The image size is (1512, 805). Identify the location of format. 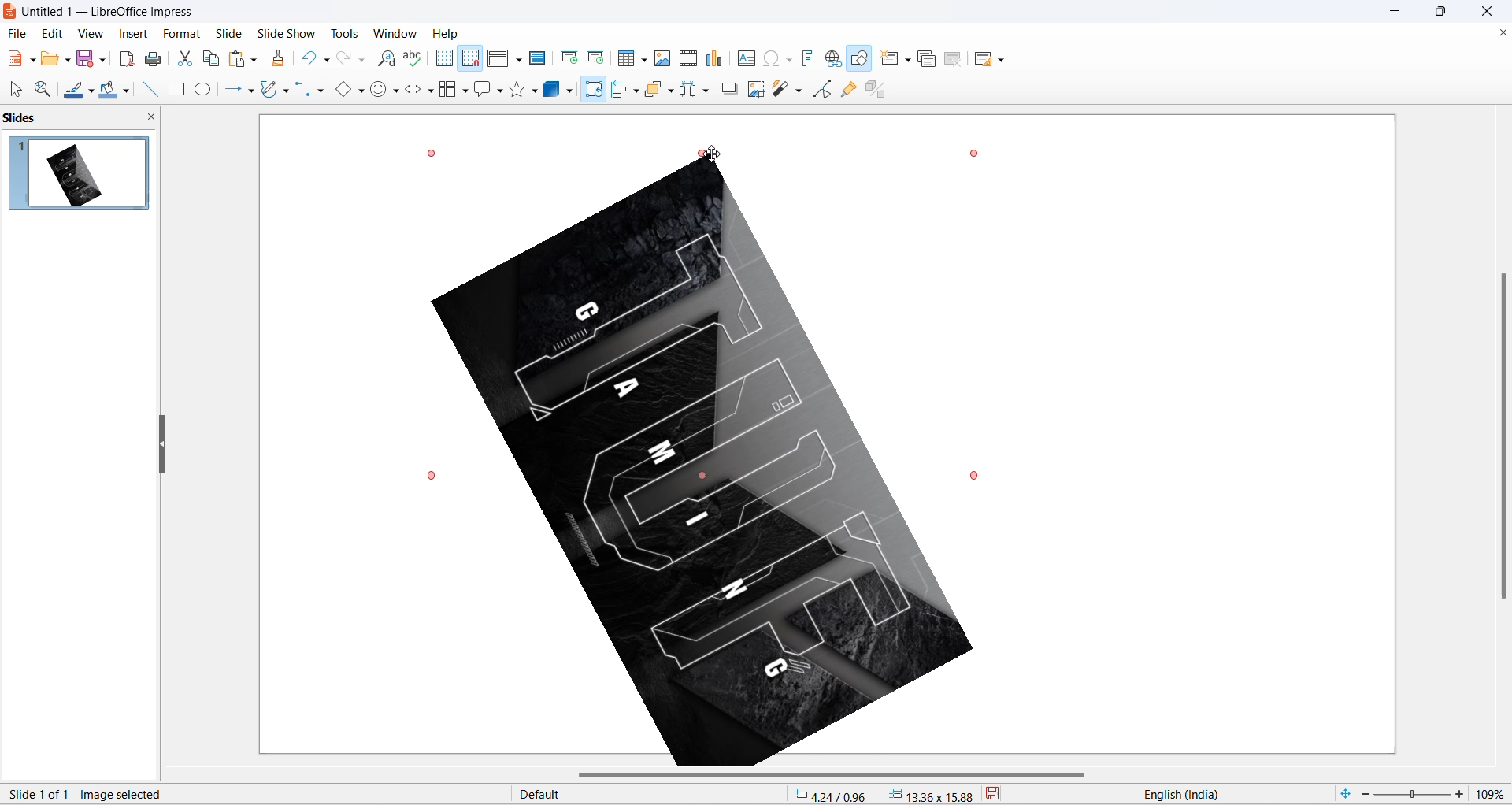
(179, 35).